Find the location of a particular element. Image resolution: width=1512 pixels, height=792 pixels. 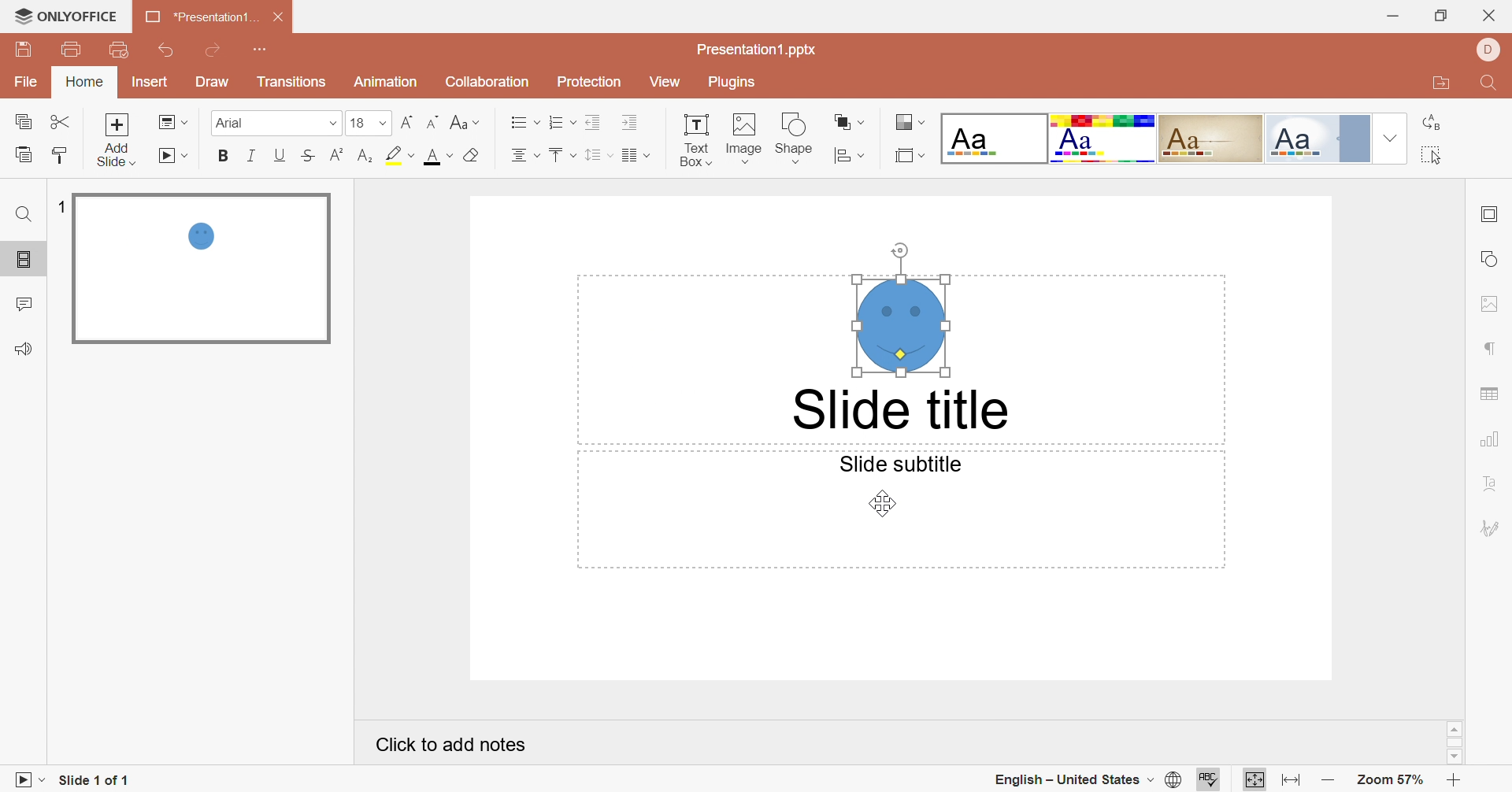

Italic is located at coordinates (252, 154).